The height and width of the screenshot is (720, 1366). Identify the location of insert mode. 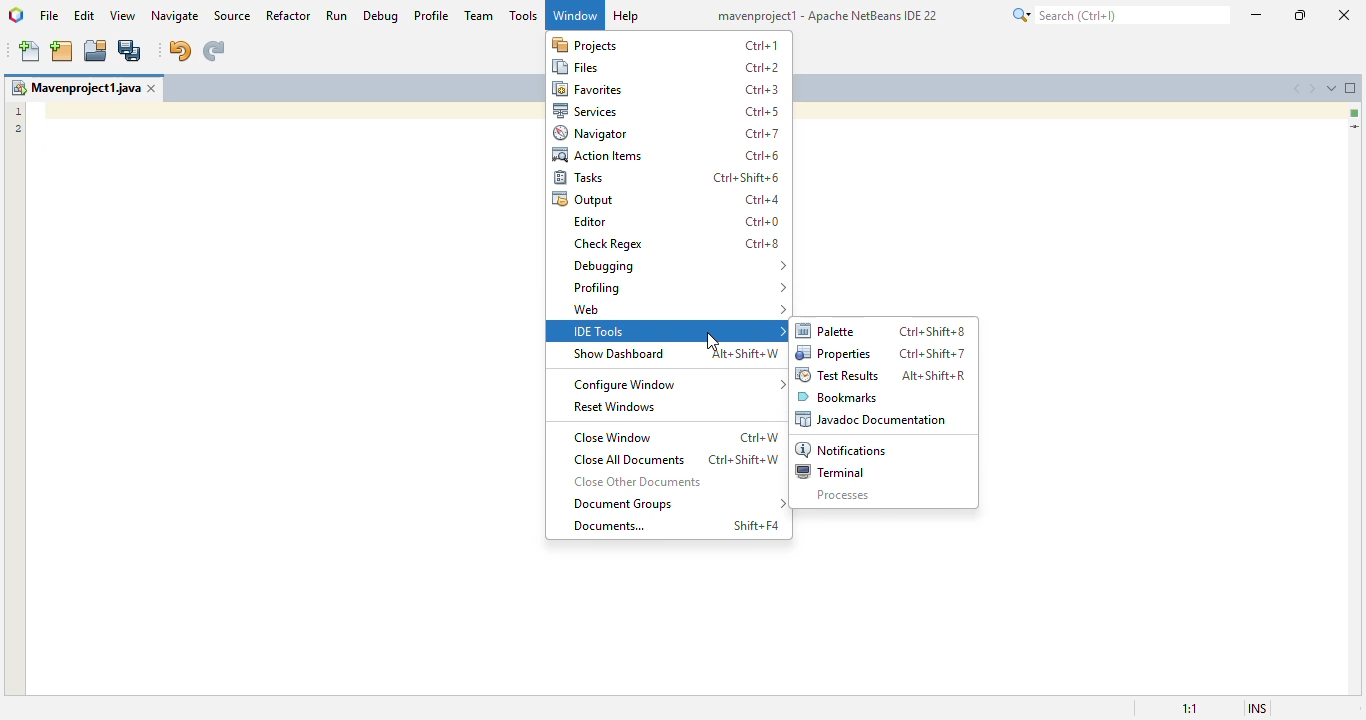
(1253, 707).